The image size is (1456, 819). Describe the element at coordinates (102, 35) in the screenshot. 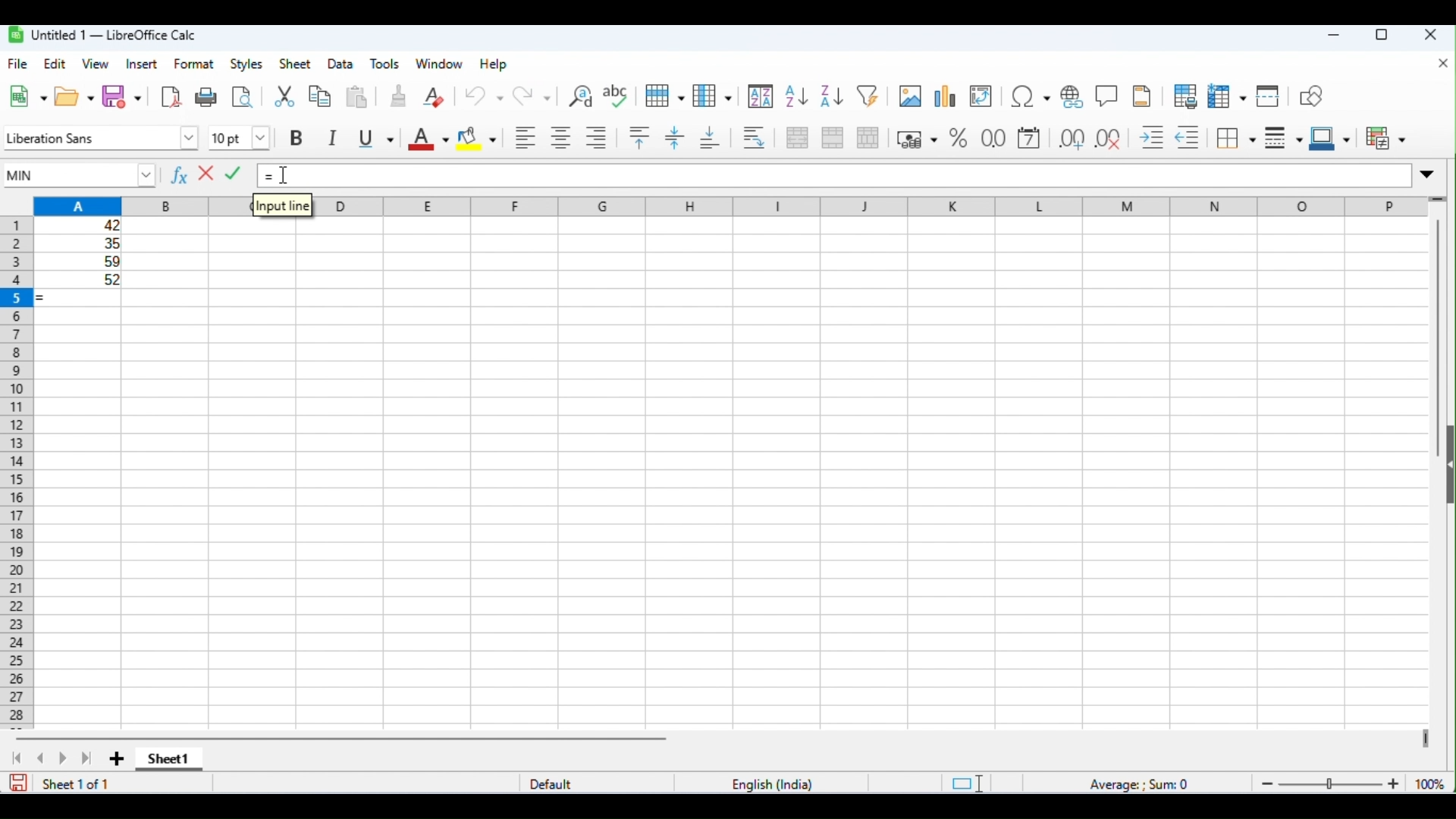

I see `untitle1-libreoffice calc` at that location.